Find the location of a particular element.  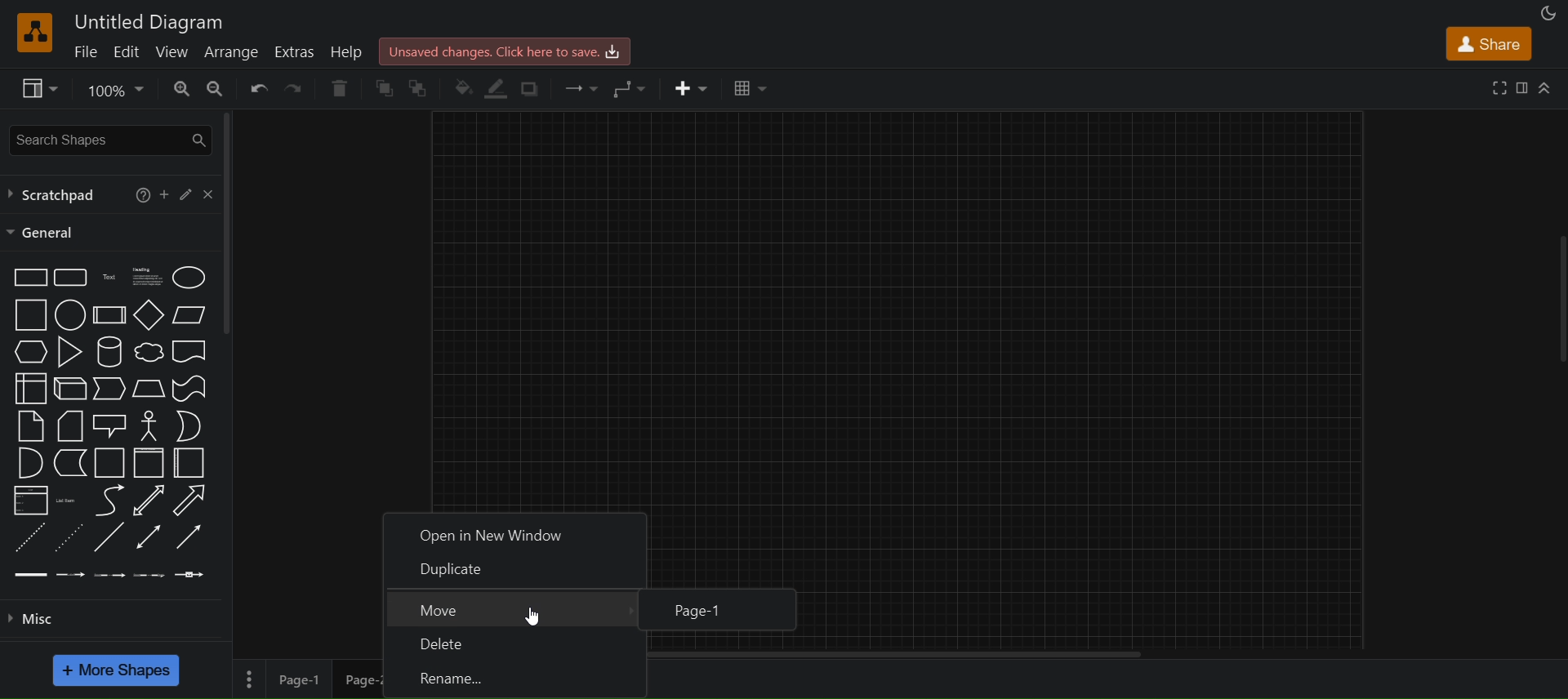

circle is located at coordinates (69, 315).